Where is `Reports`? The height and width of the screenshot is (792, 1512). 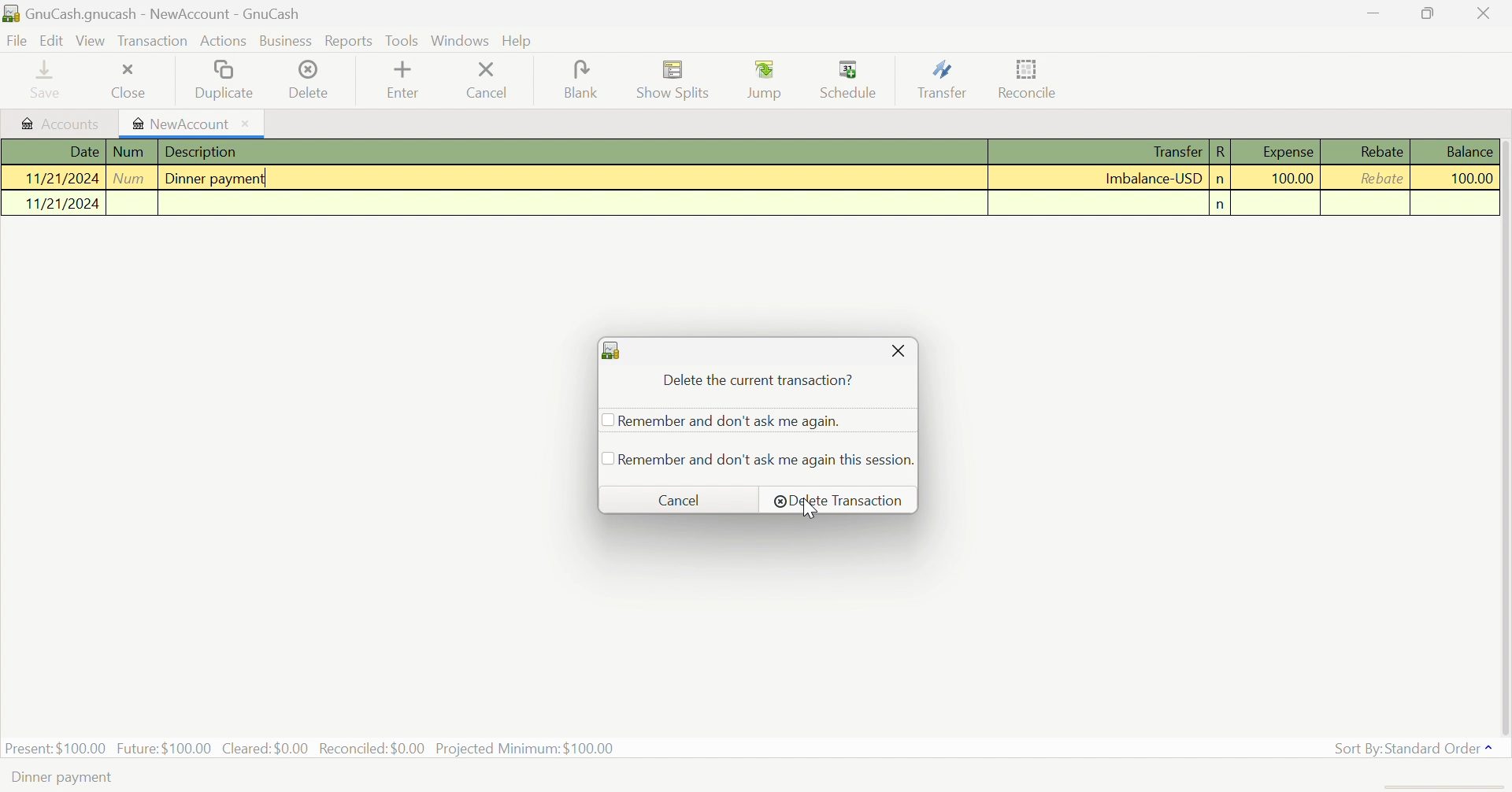 Reports is located at coordinates (349, 43).